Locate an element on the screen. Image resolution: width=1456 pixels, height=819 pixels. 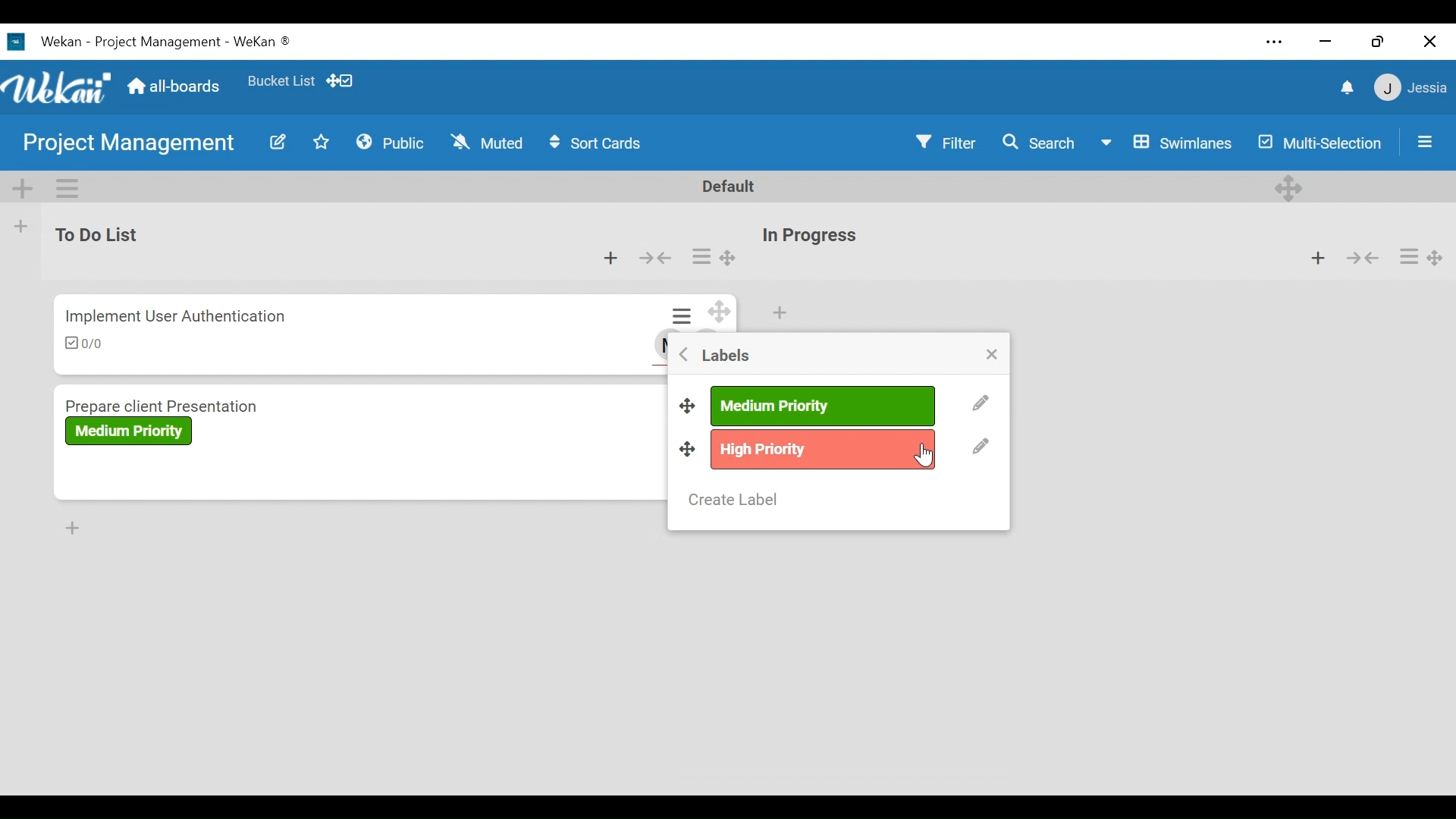
back is located at coordinates (680, 357).